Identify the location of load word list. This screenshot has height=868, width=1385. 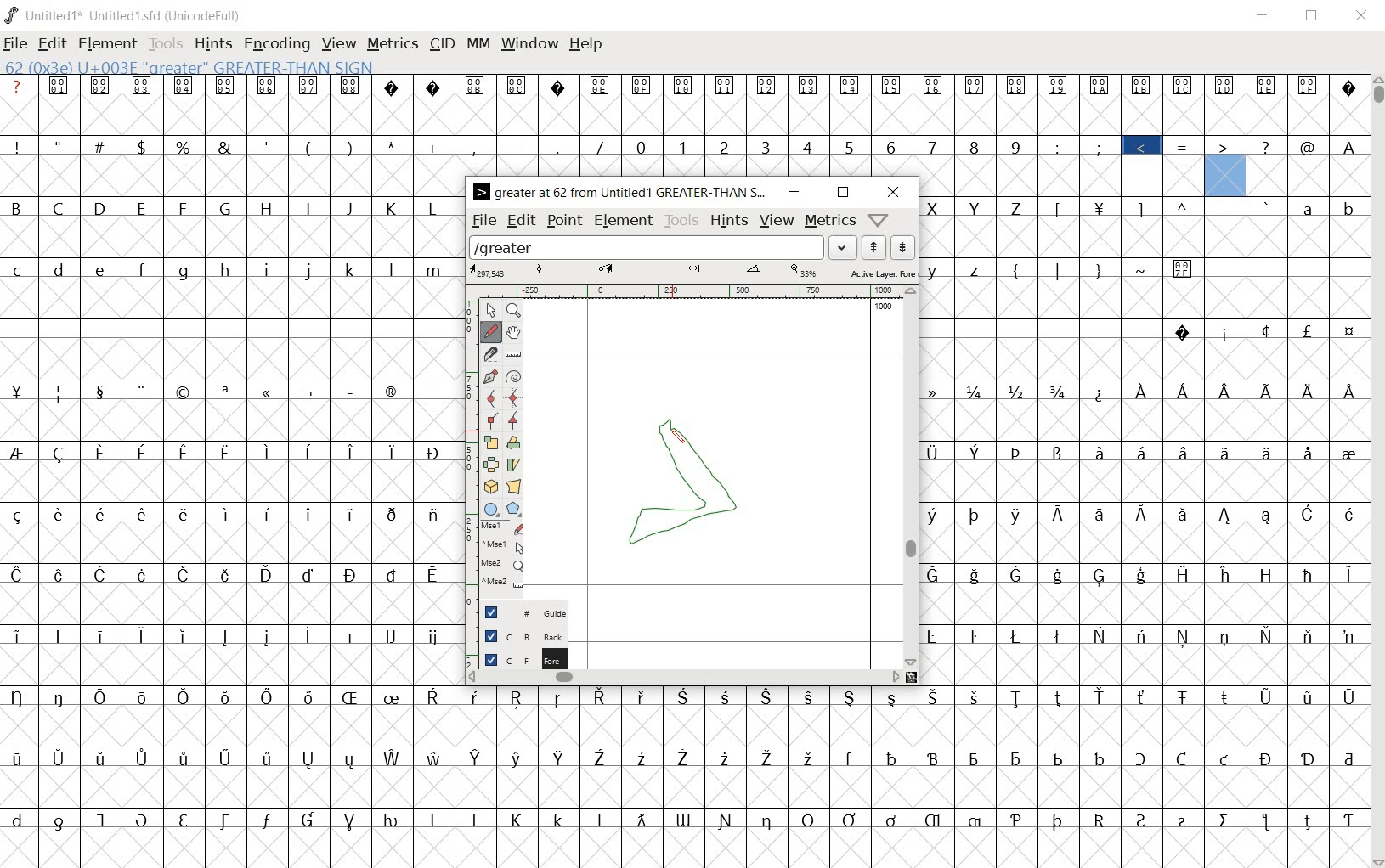
(664, 247).